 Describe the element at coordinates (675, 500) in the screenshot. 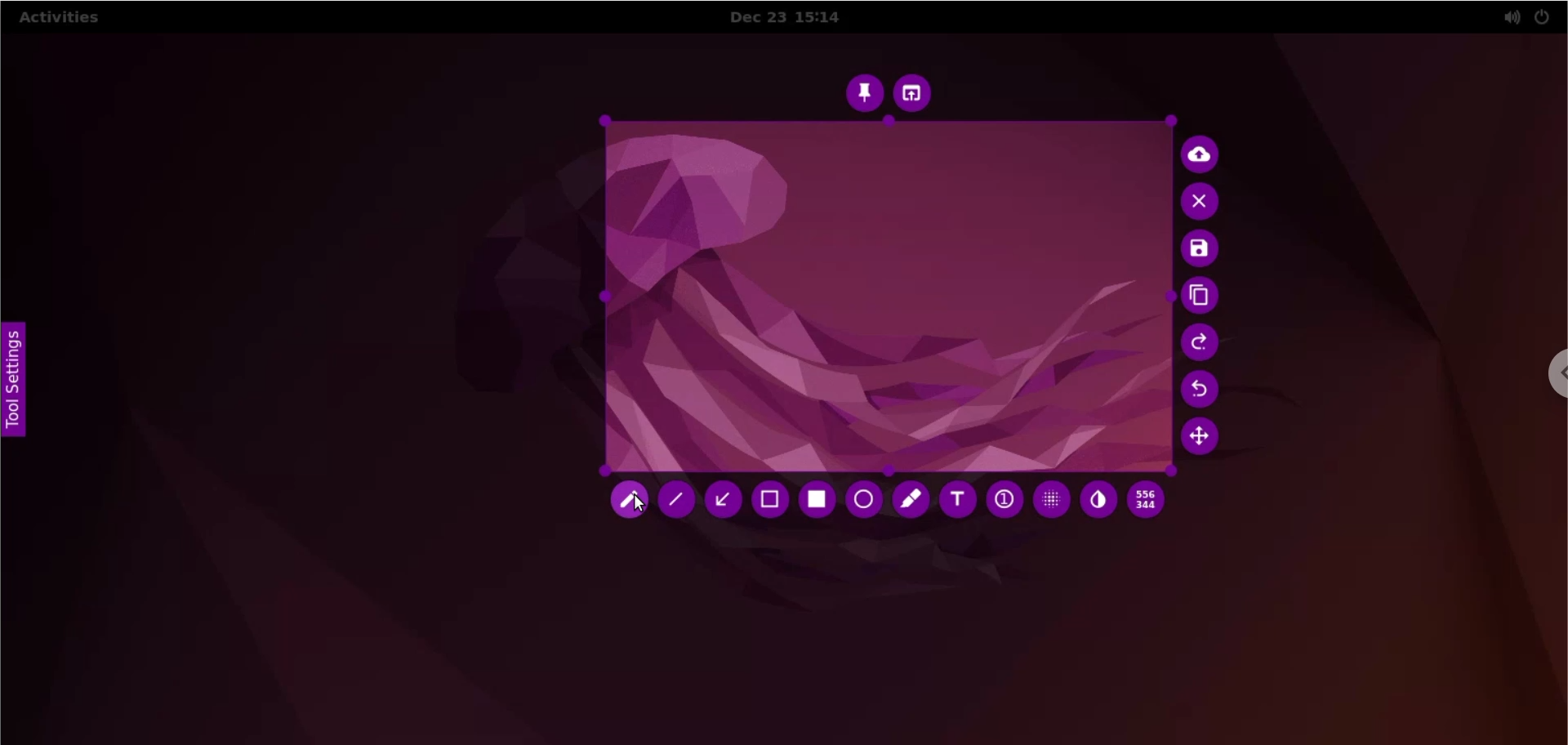

I see `line ` at that location.